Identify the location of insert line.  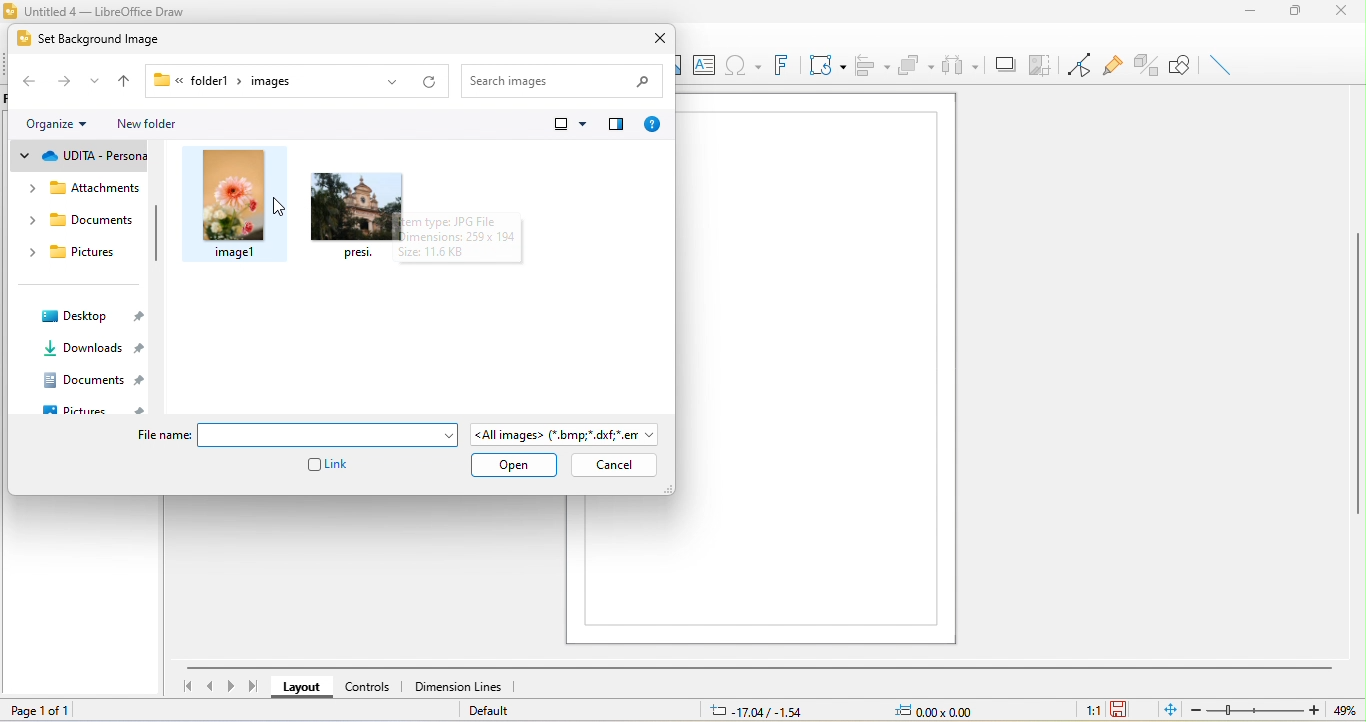
(1221, 68).